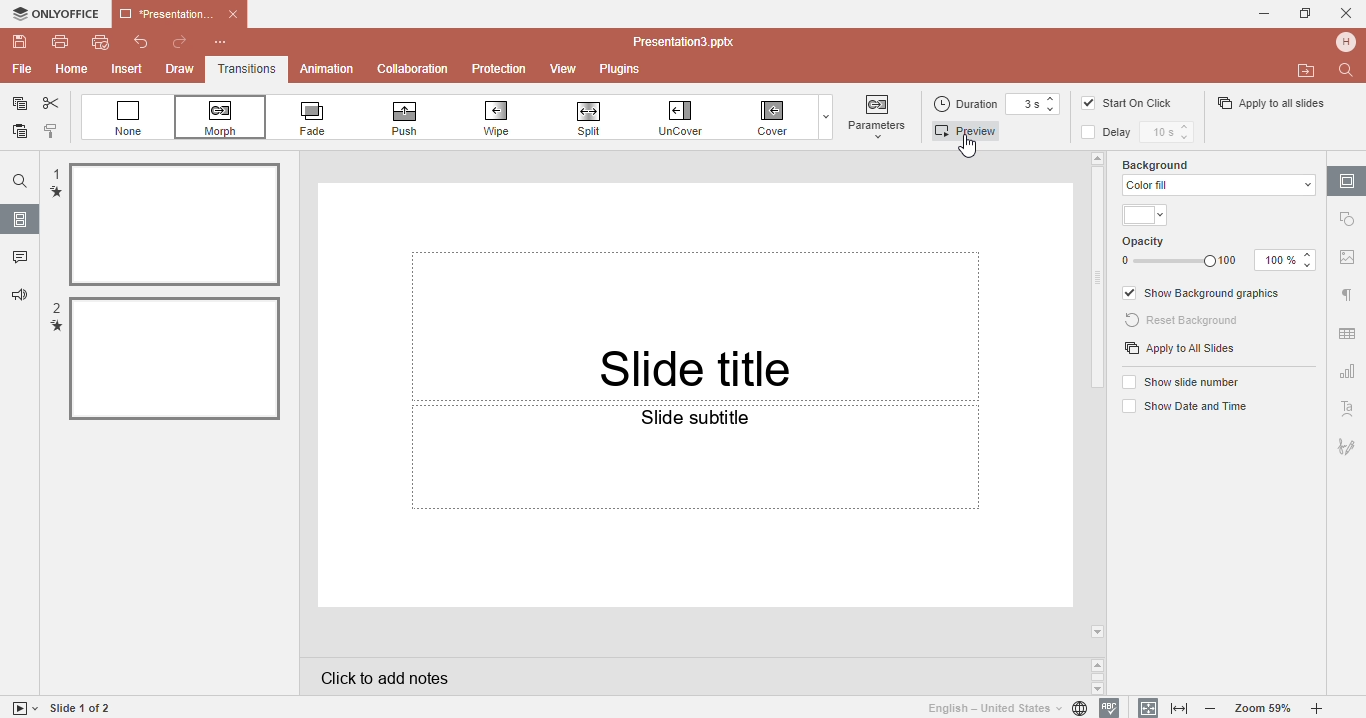  Describe the element at coordinates (20, 219) in the screenshot. I see `Slides ` at that location.